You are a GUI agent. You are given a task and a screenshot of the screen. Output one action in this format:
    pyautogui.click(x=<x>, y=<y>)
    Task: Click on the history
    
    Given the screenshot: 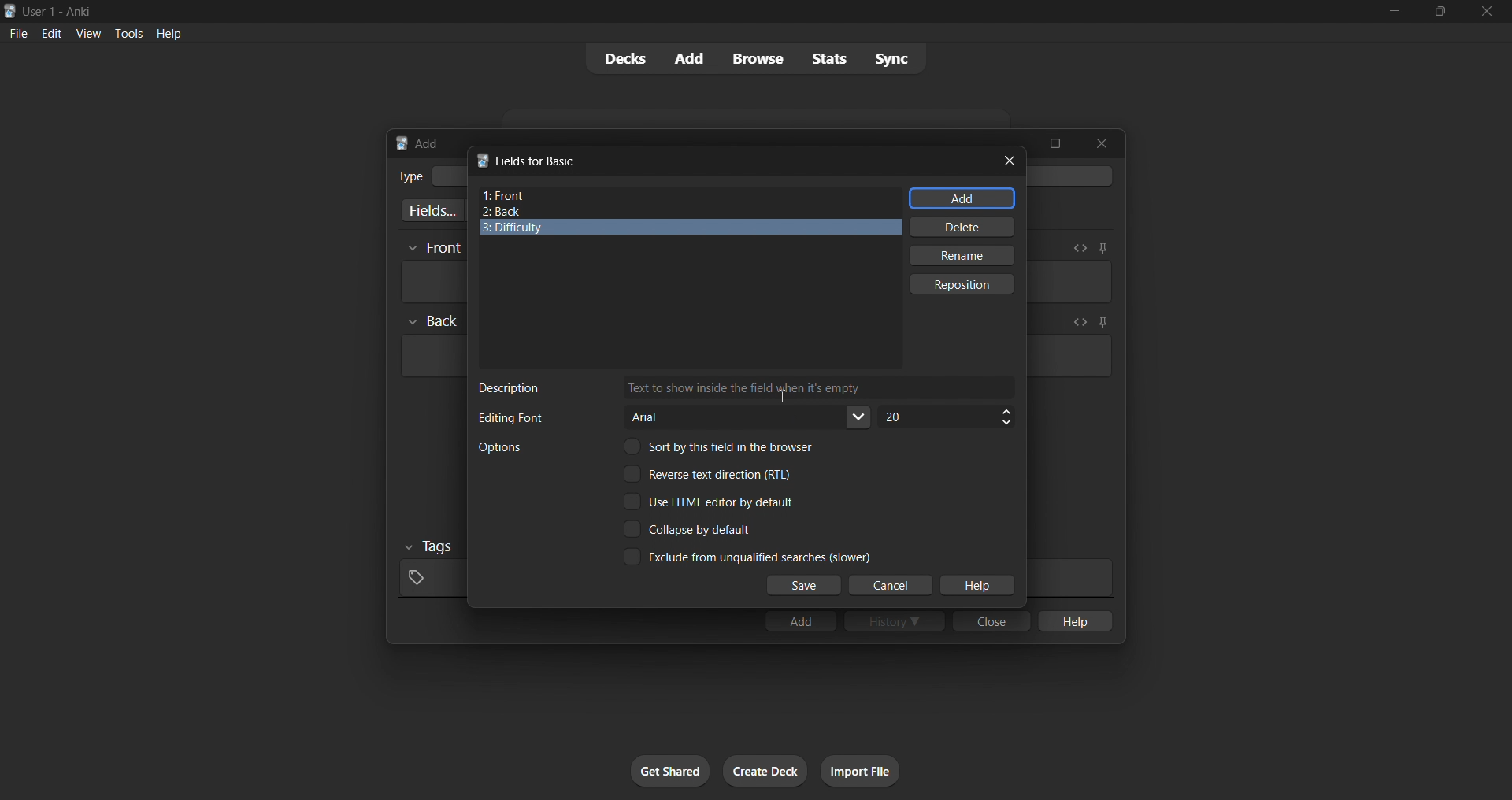 What is the action you would take?
    pyautogui.click(x=895, y=620)
    